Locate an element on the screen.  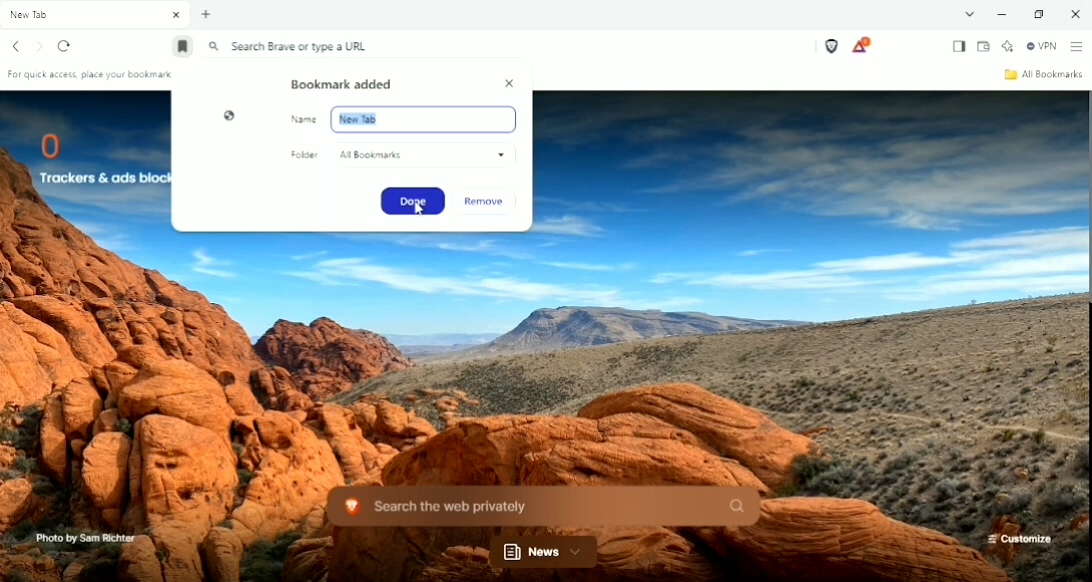
Customize is located at coordinates (1019, 539).